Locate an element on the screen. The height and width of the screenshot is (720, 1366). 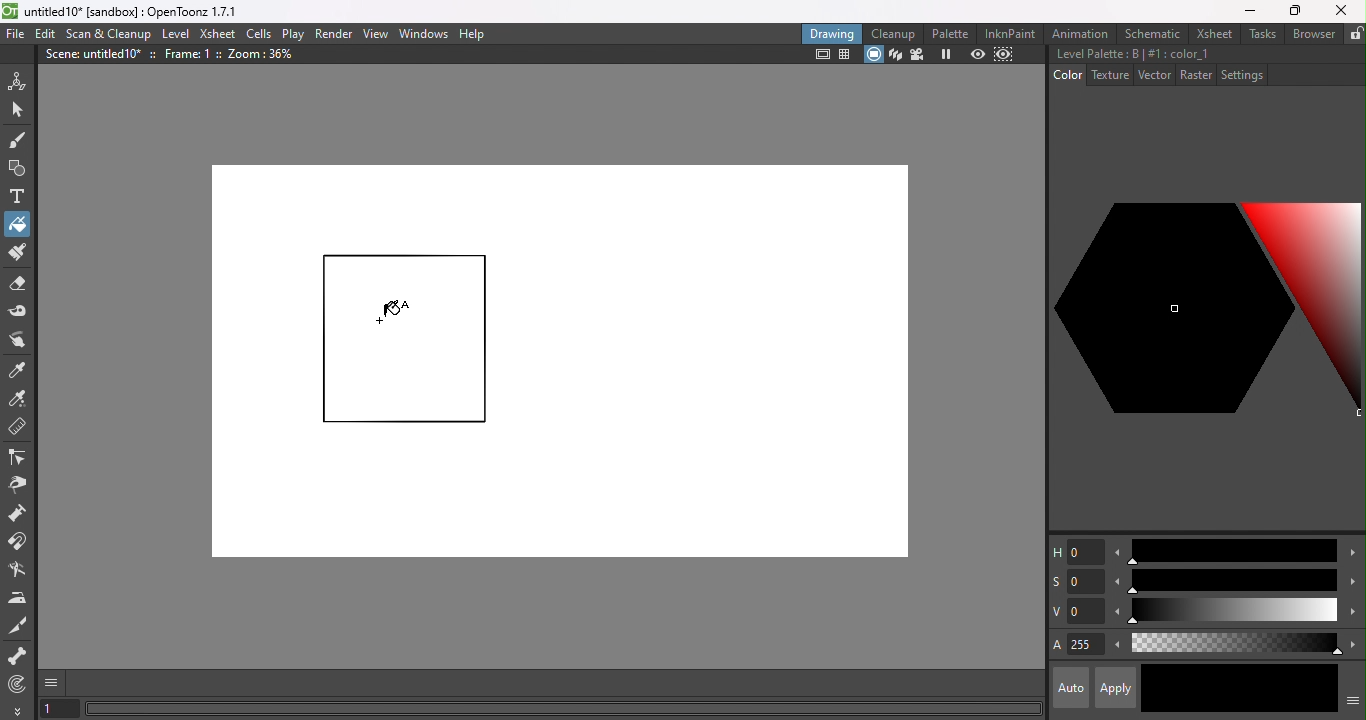
Raster is located at coordinates (1196, 76).